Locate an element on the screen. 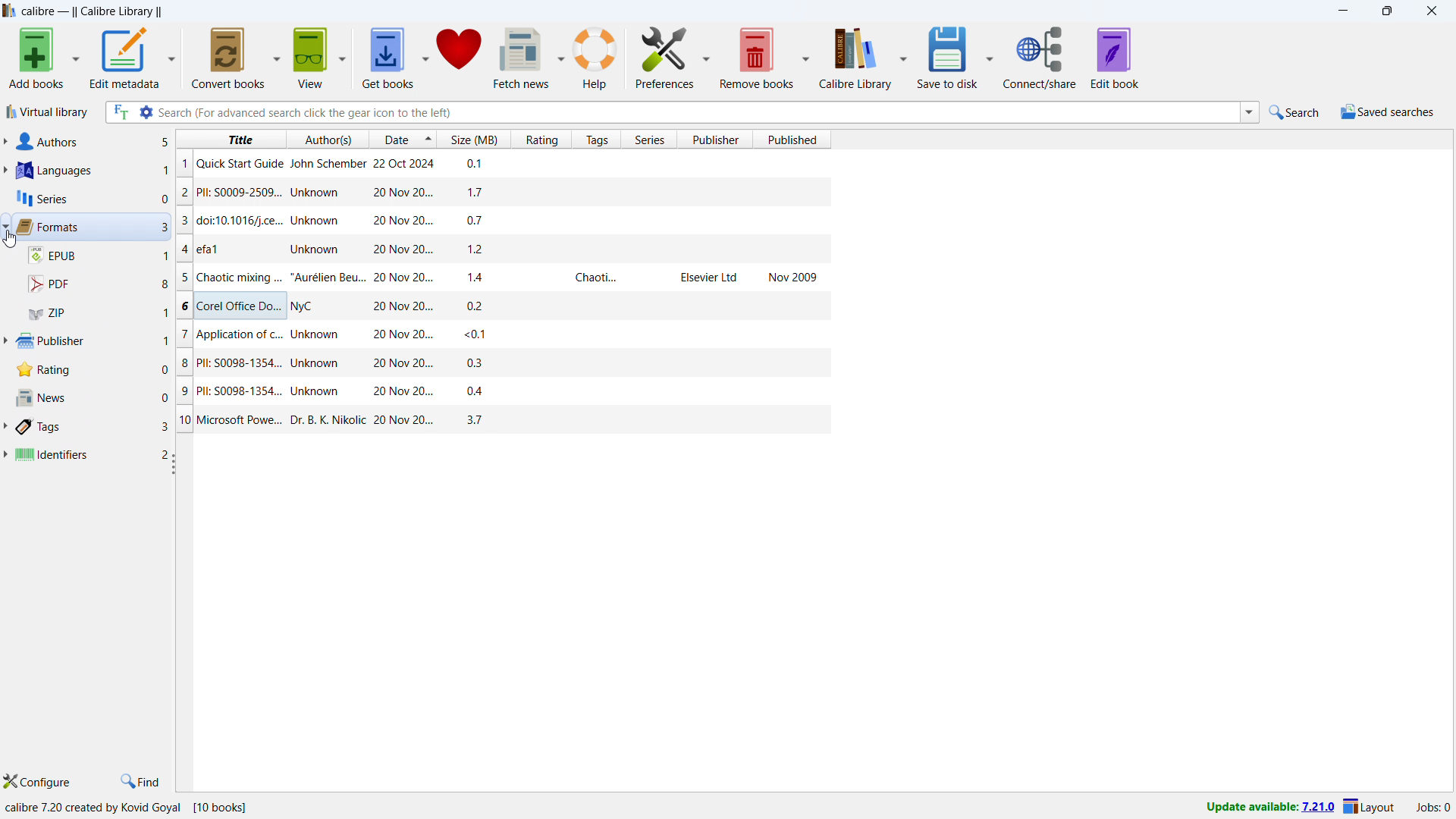 Image resolution: width=1456 pixels, height=819 pixels. layout is located at coordinates (1369, 806).